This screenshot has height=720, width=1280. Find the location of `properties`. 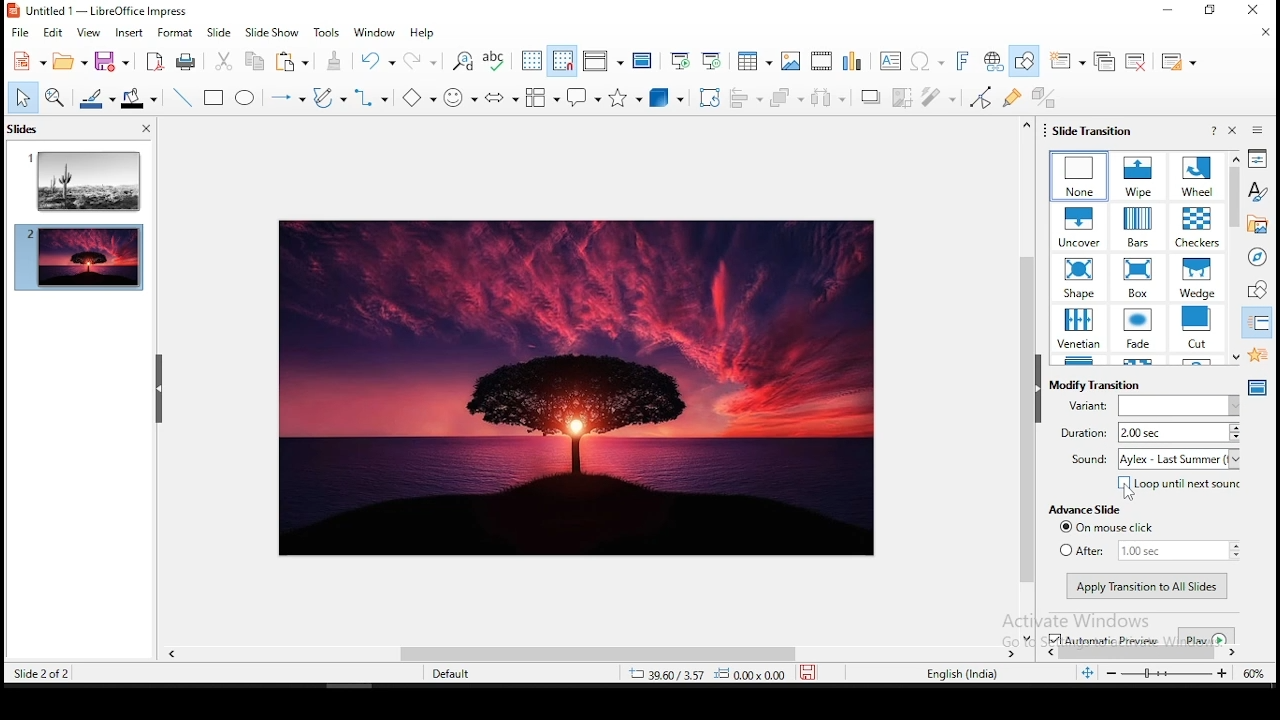

properties is located at coordinates (1257, 159).